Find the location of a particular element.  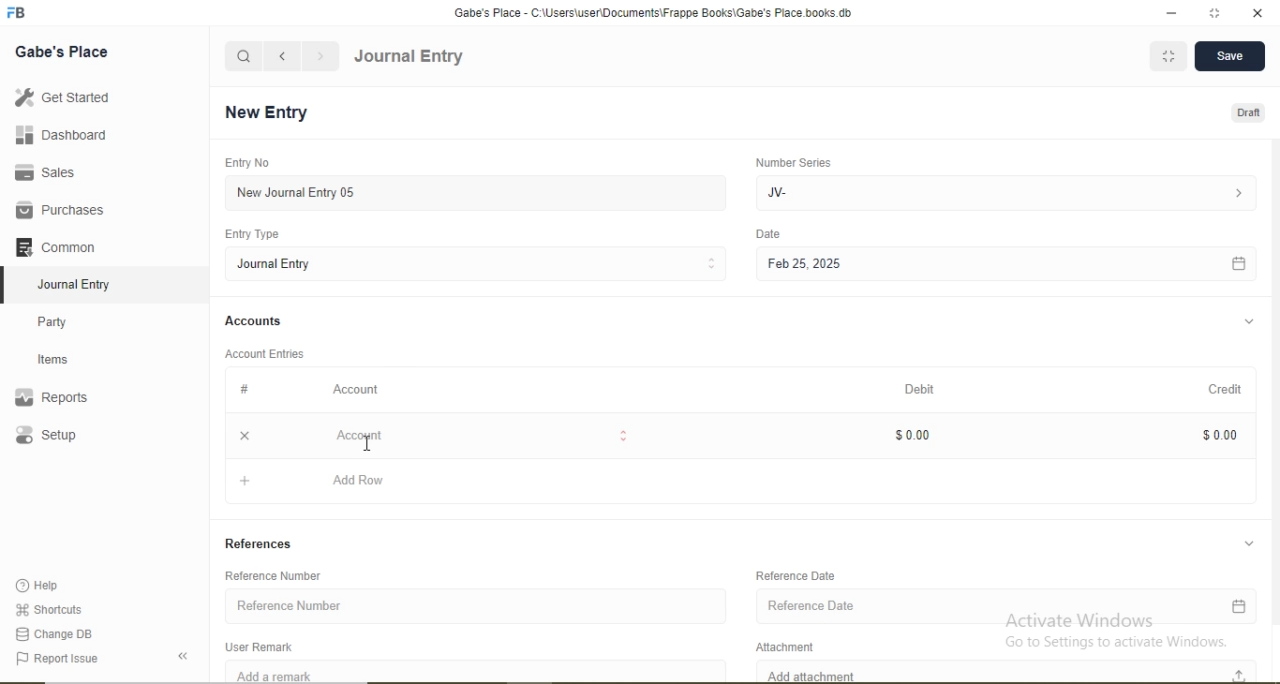

Get Started is located at coordinates (60, 97).